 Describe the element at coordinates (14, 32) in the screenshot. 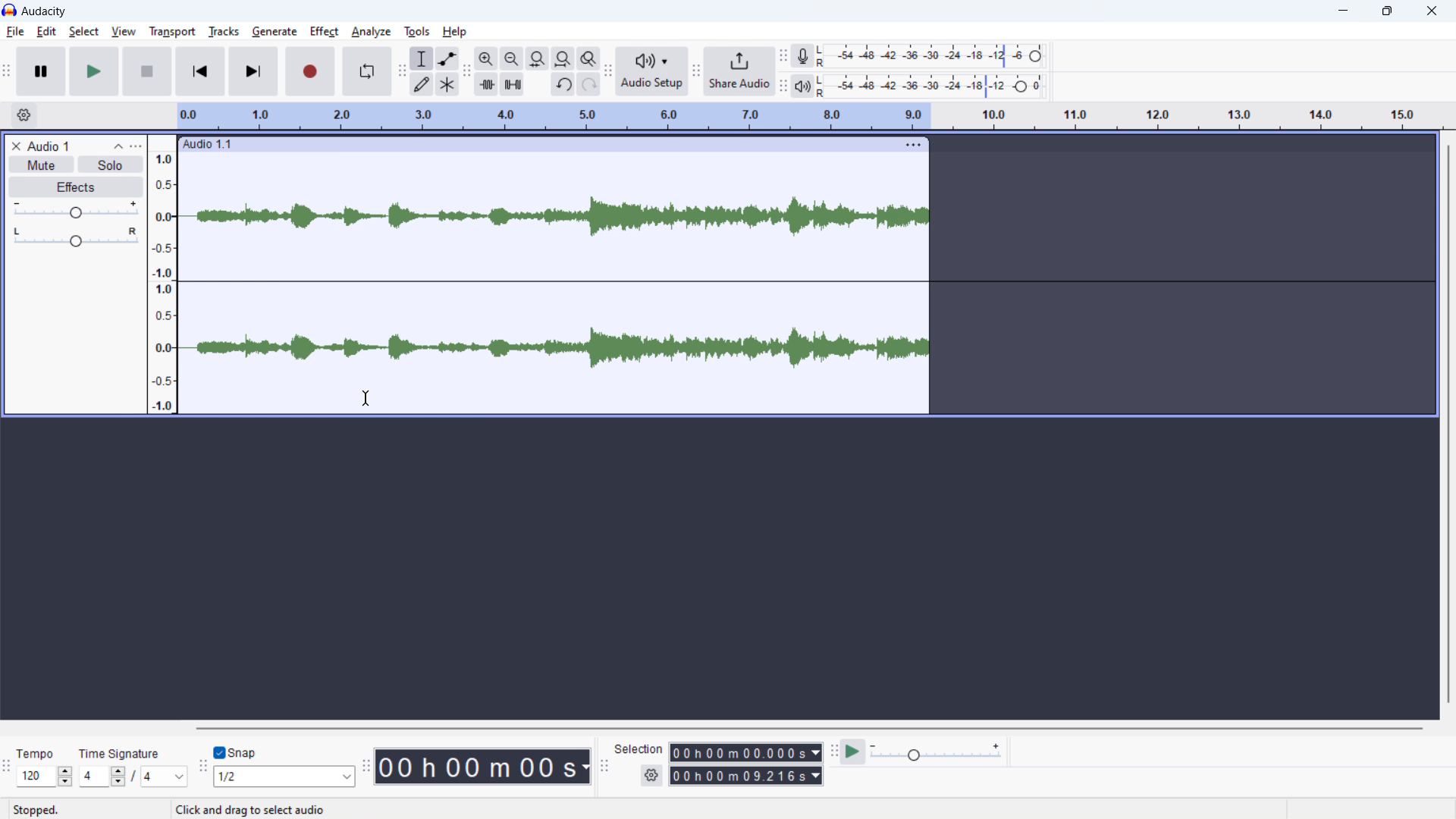

I see `file` at that location.